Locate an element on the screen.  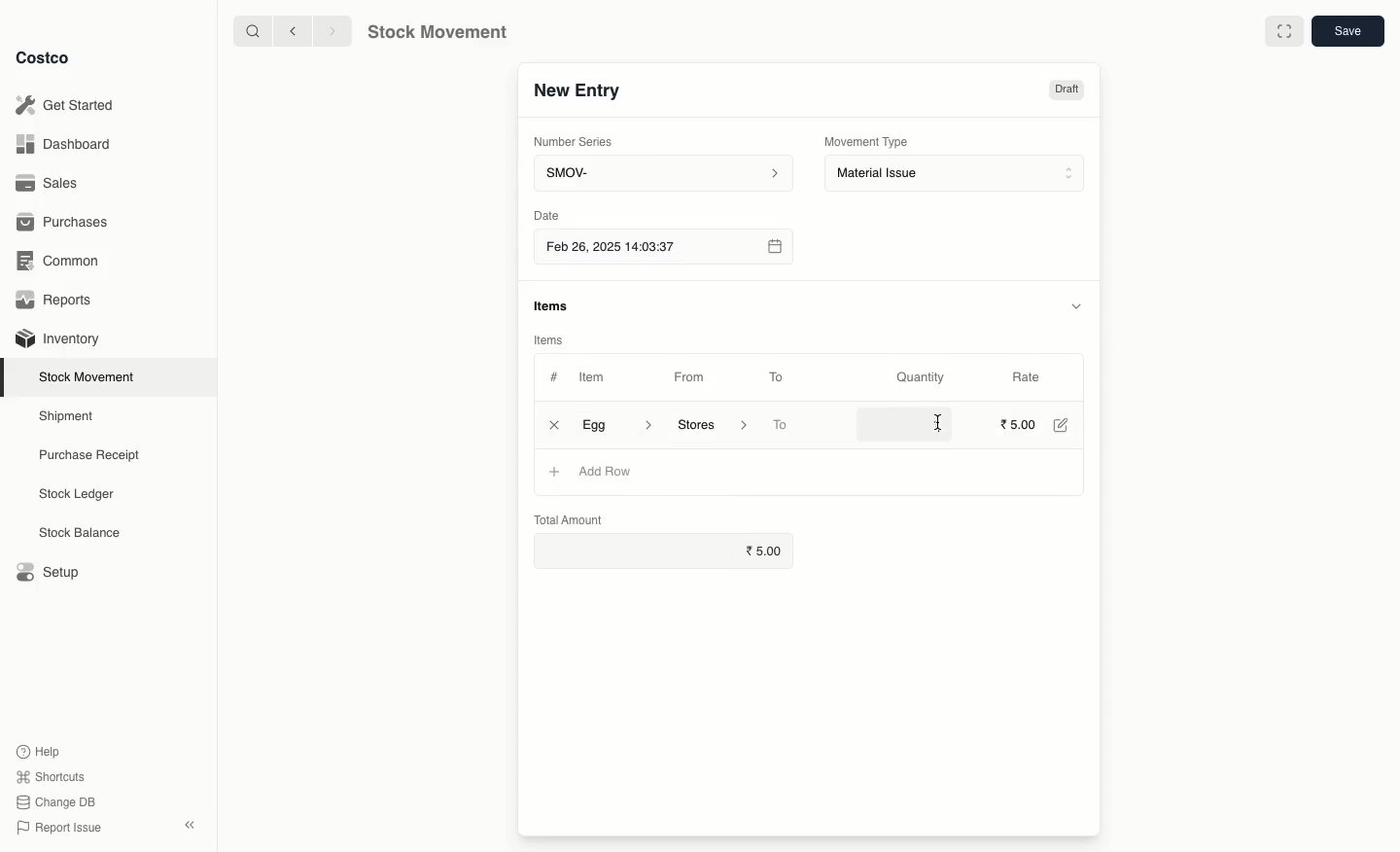
‘Stores is located at coordinates (710, 423).